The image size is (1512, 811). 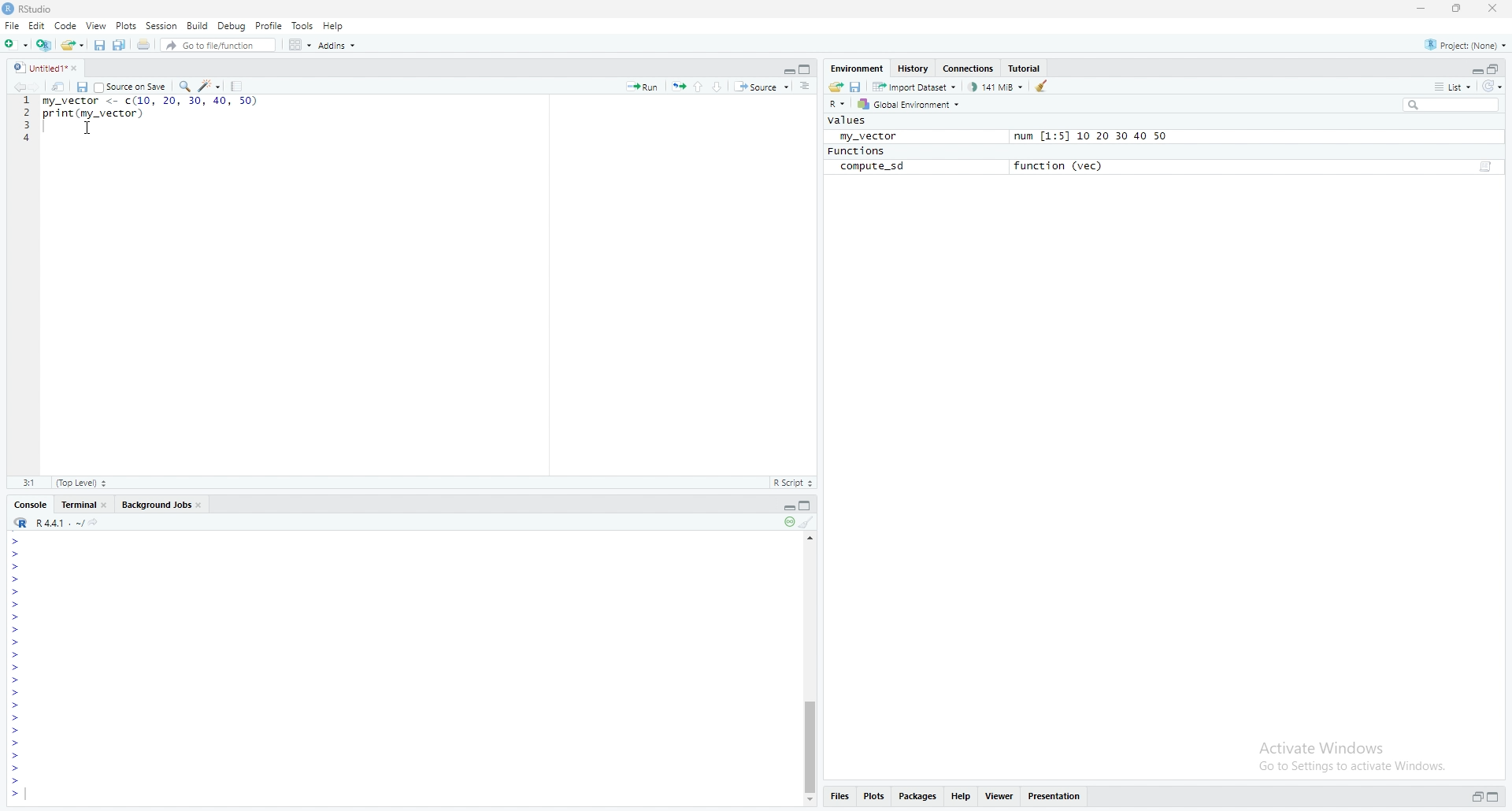 What do you see at coordinates (217, 44) in the screenshot?
I see `Go to file/function` at bounding box center [217, 44].